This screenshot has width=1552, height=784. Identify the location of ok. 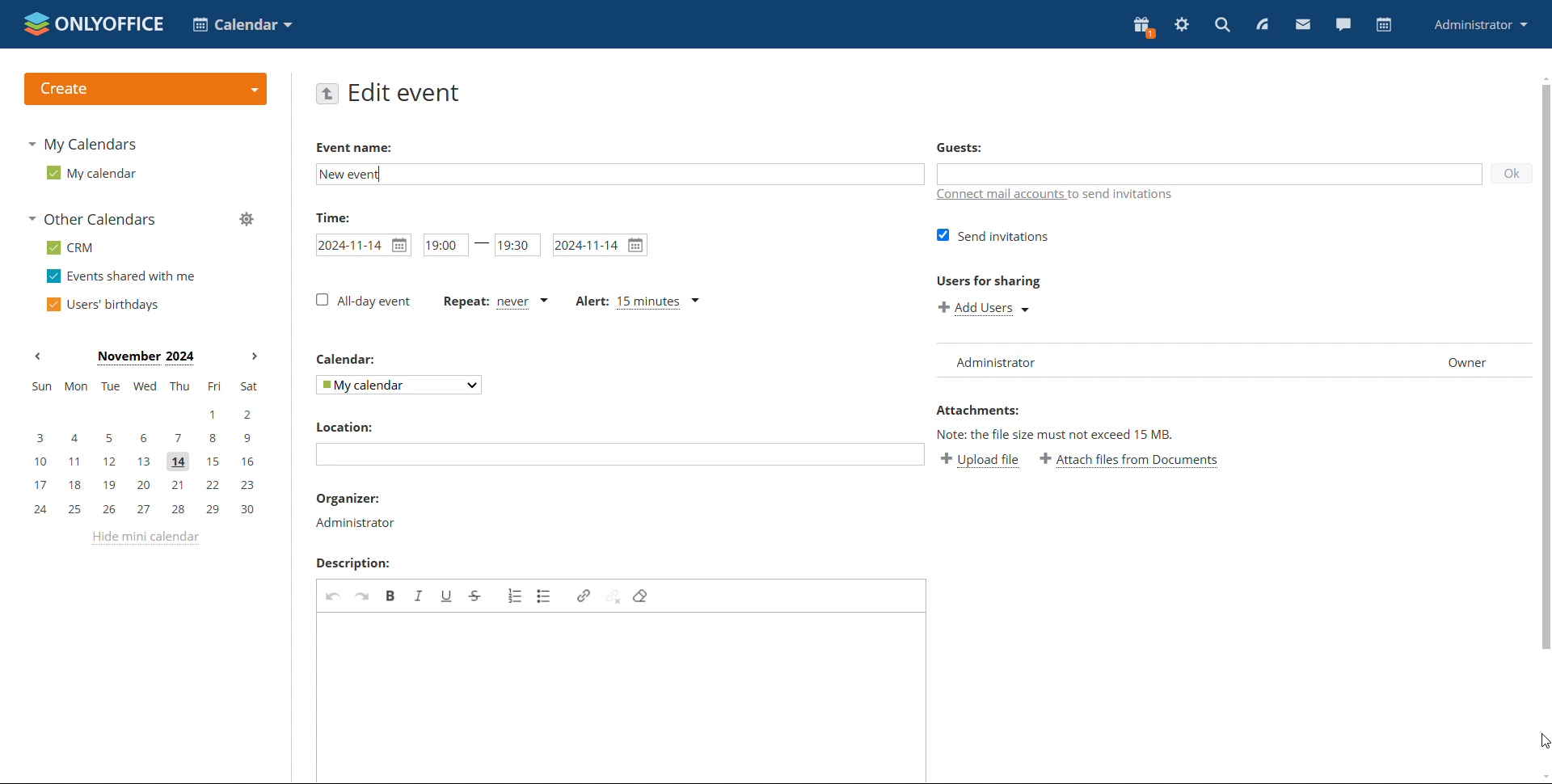
(1512, 175).